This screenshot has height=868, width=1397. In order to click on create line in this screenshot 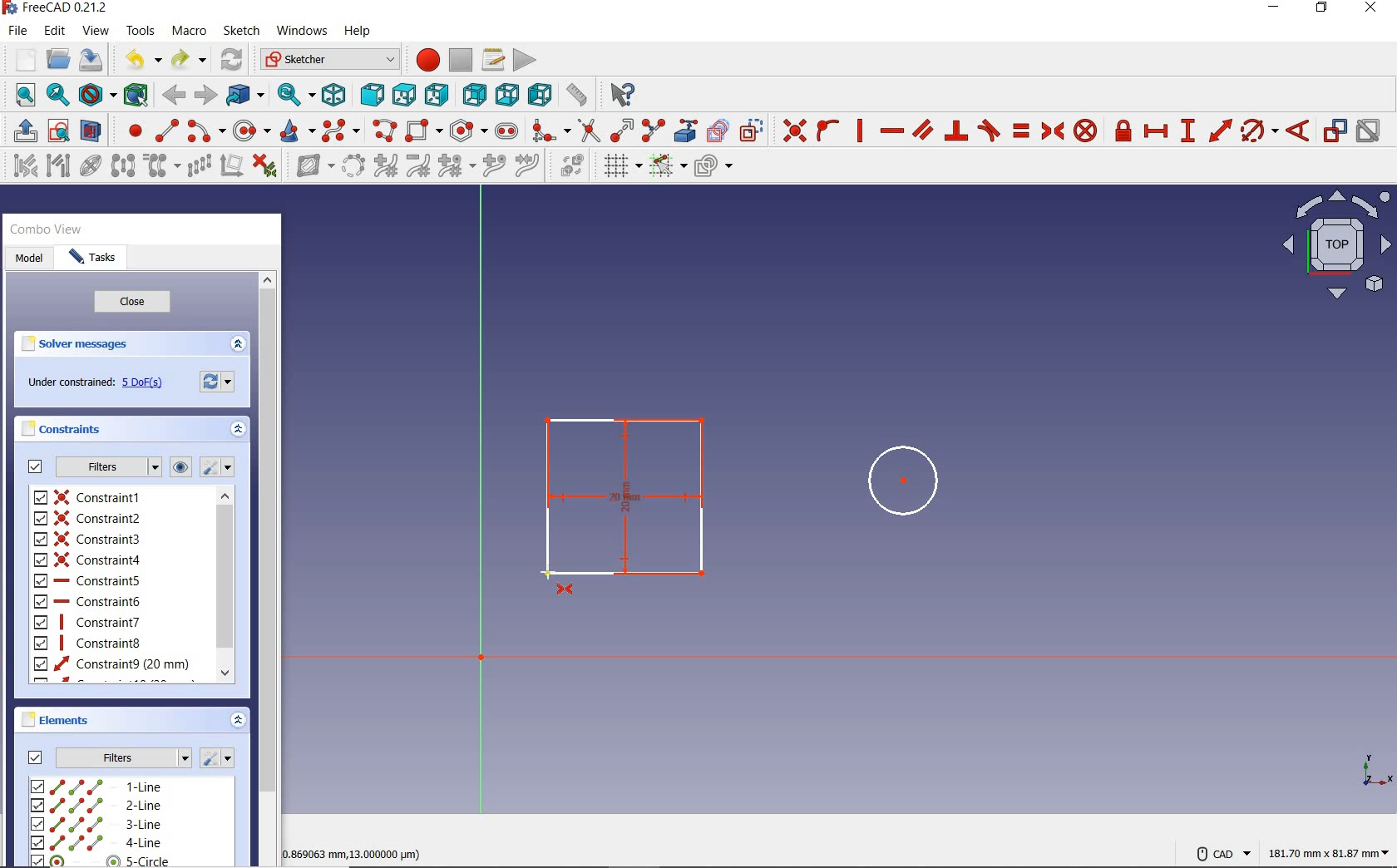, I will do `click(166, 130)`.